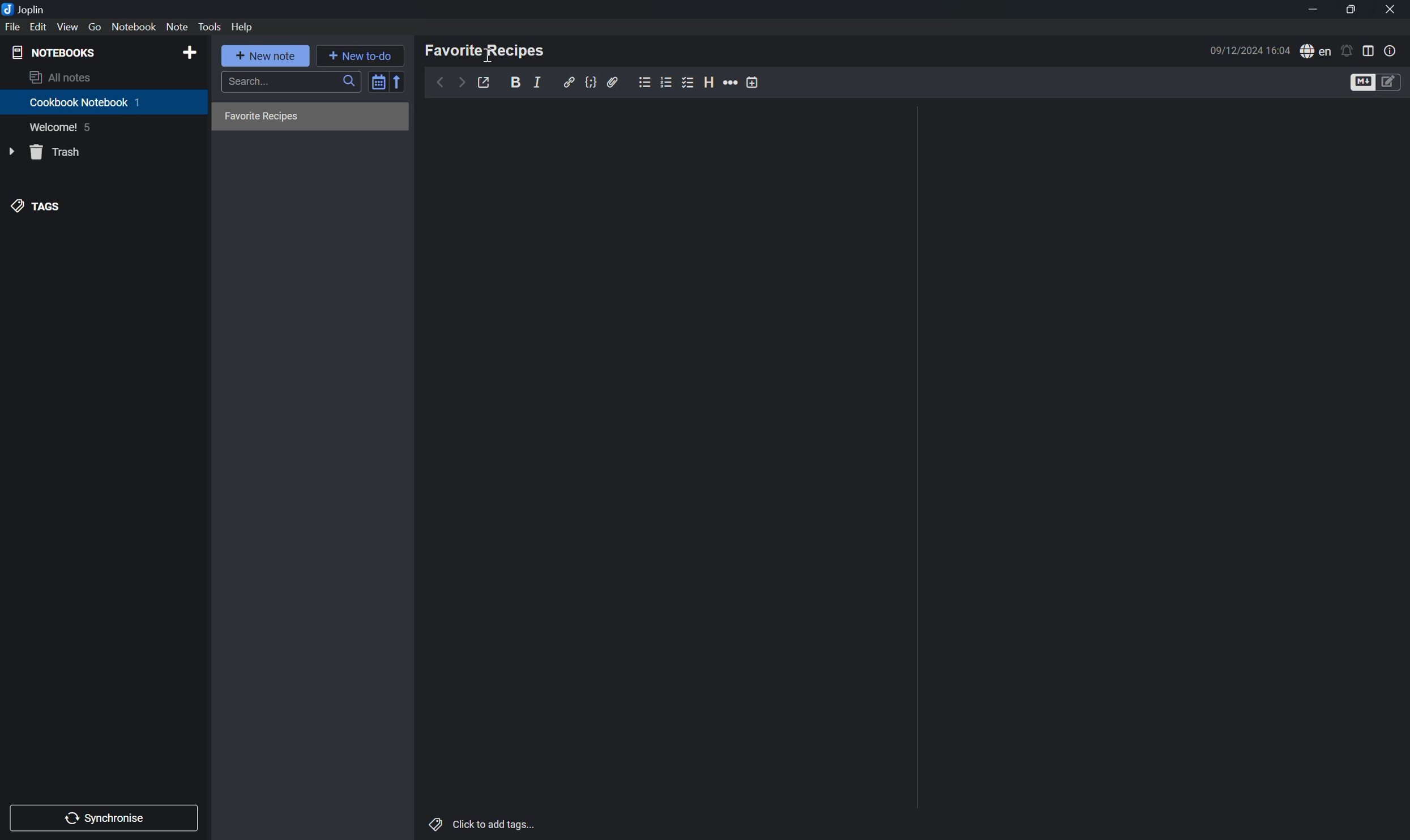  I want to click on Numbered list, so click(665, 81).